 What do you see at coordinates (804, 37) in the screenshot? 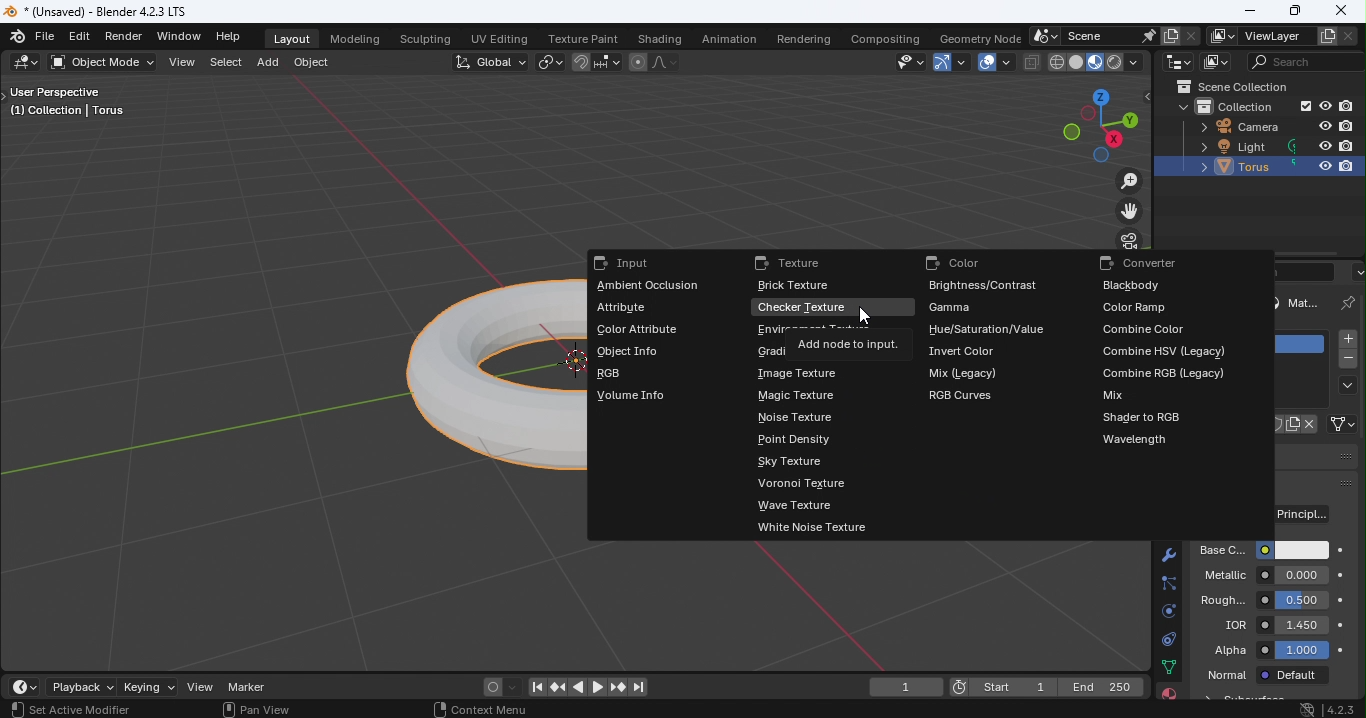
I see `Rendering` at bounding box center [804, 37].